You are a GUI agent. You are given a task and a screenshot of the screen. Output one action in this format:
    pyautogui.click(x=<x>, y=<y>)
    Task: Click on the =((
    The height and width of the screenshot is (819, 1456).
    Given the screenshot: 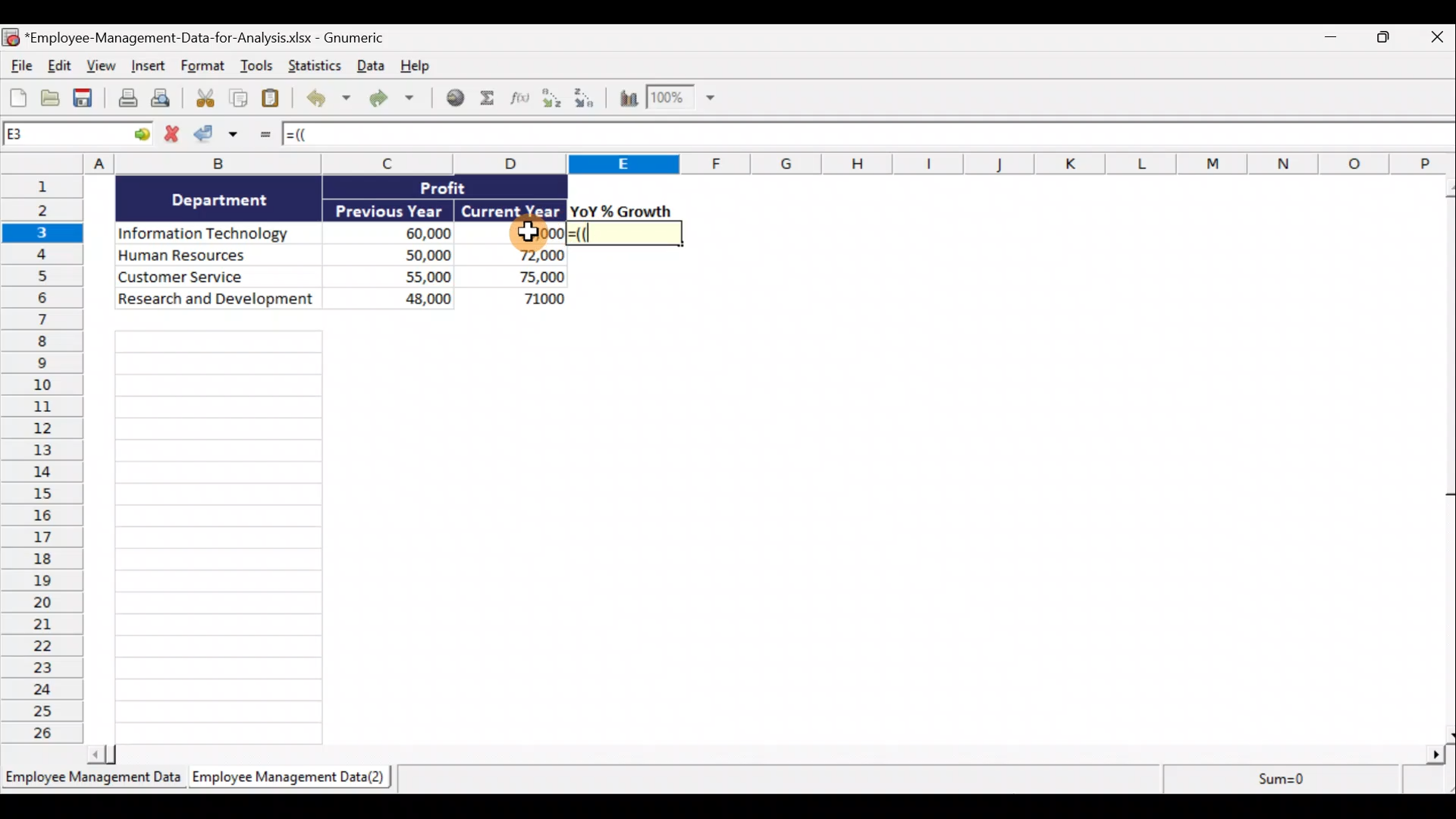 What is the action you would take?
    pyautogui.click(x=317, y=136)
    